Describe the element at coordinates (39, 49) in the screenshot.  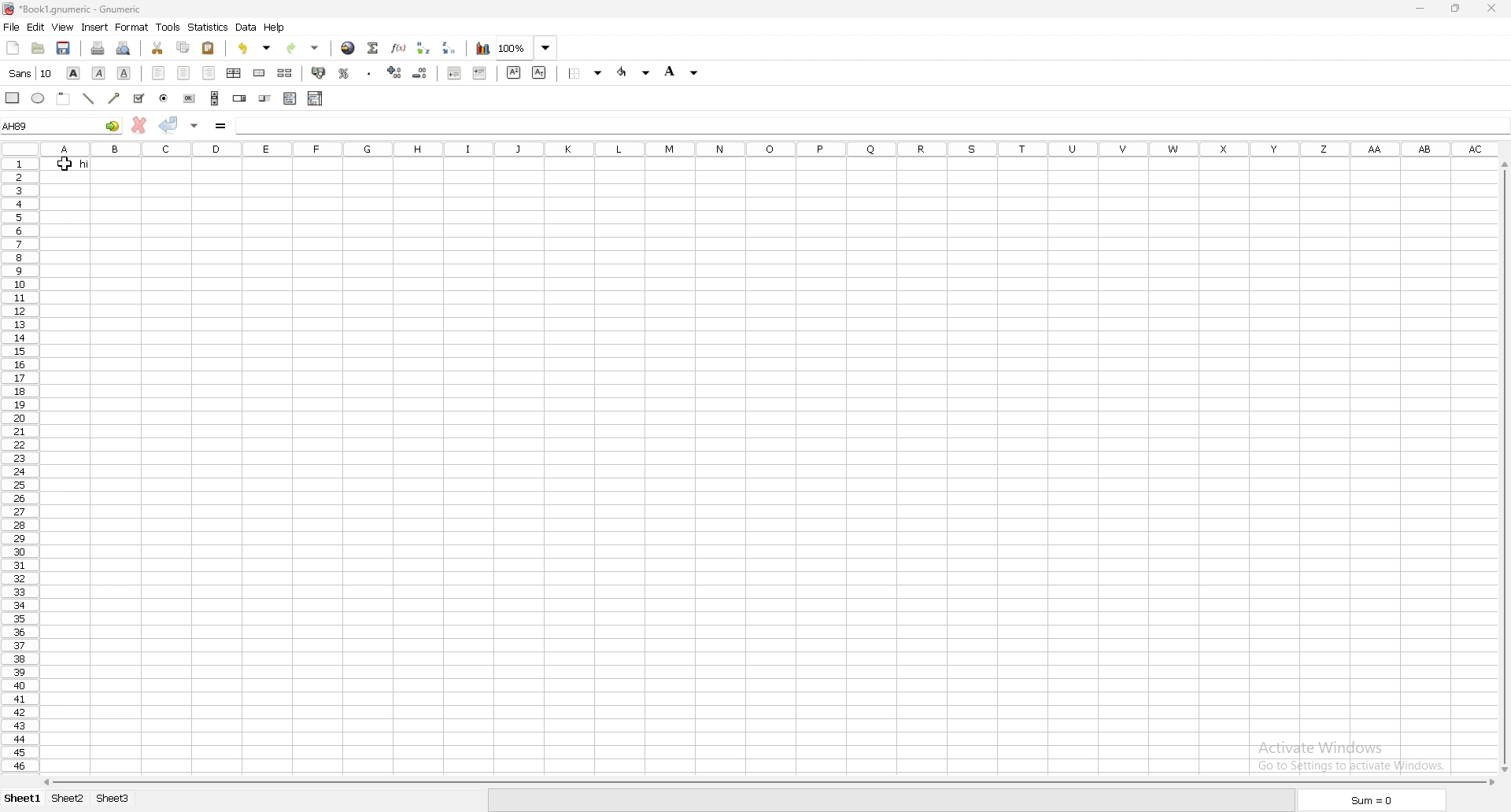
I see `open` at that location.